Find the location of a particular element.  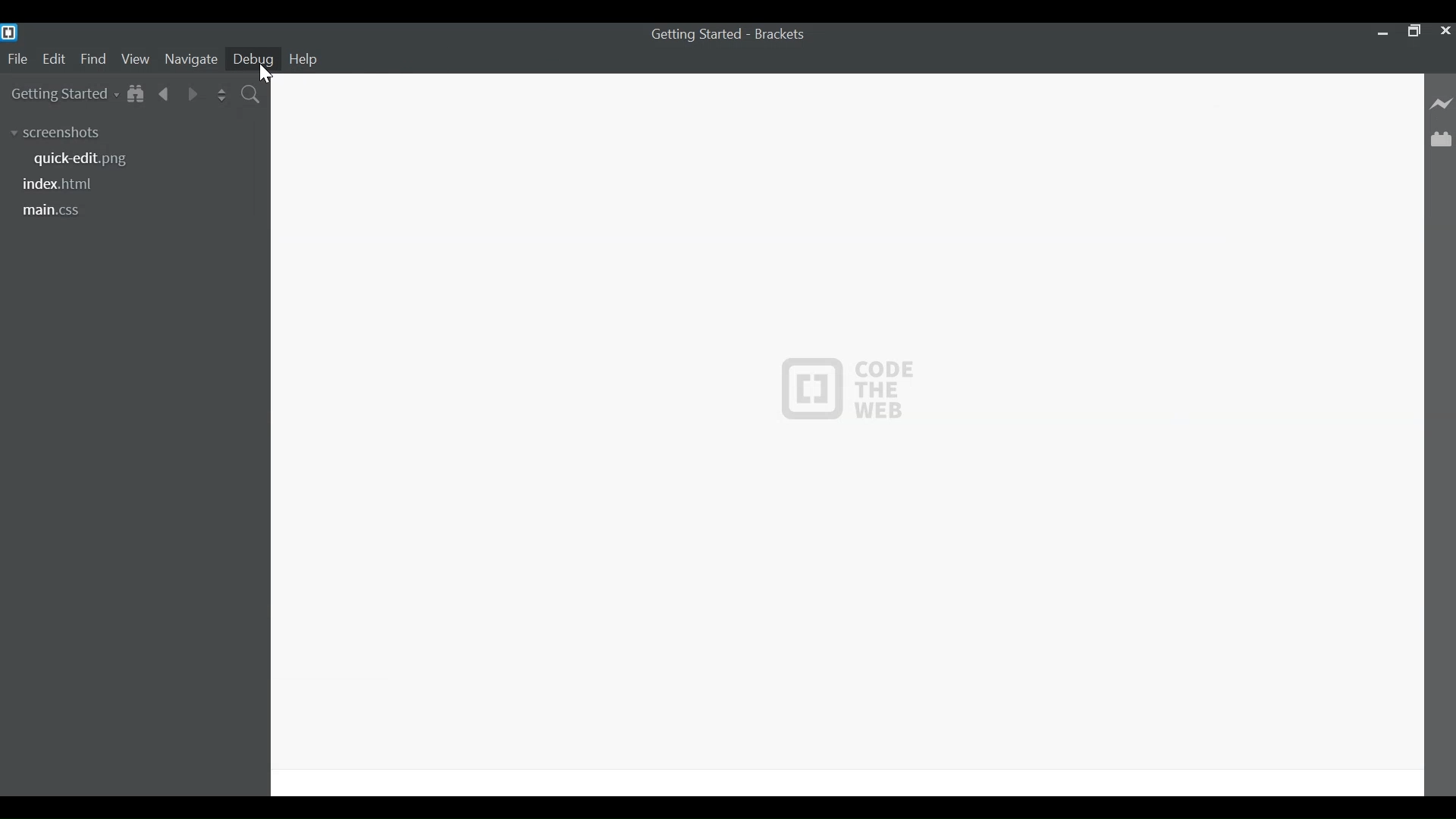

main.css is located at coordinates (55, 211).